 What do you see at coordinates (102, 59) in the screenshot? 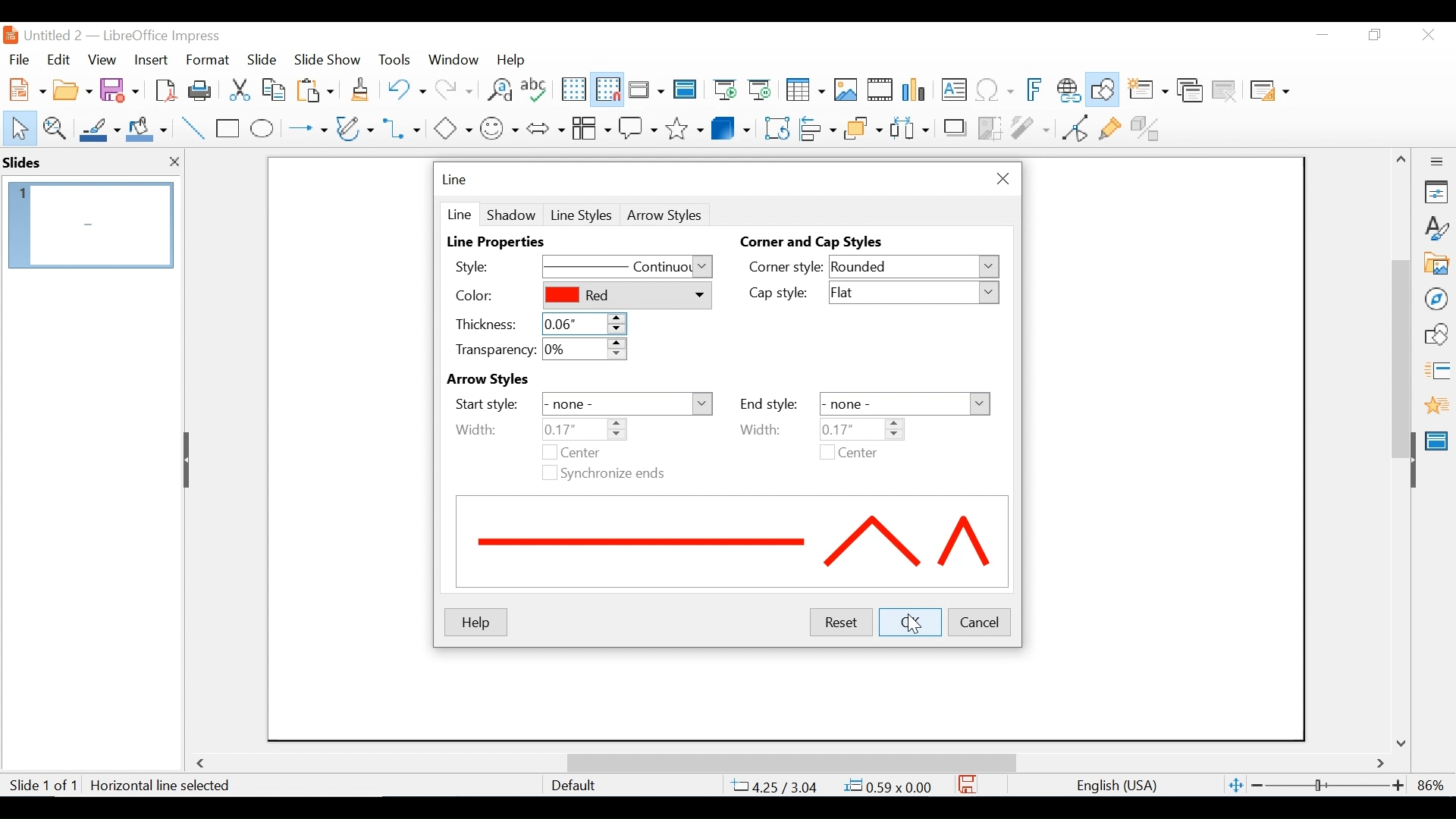
I see `View` at bounding box center [102, 59].